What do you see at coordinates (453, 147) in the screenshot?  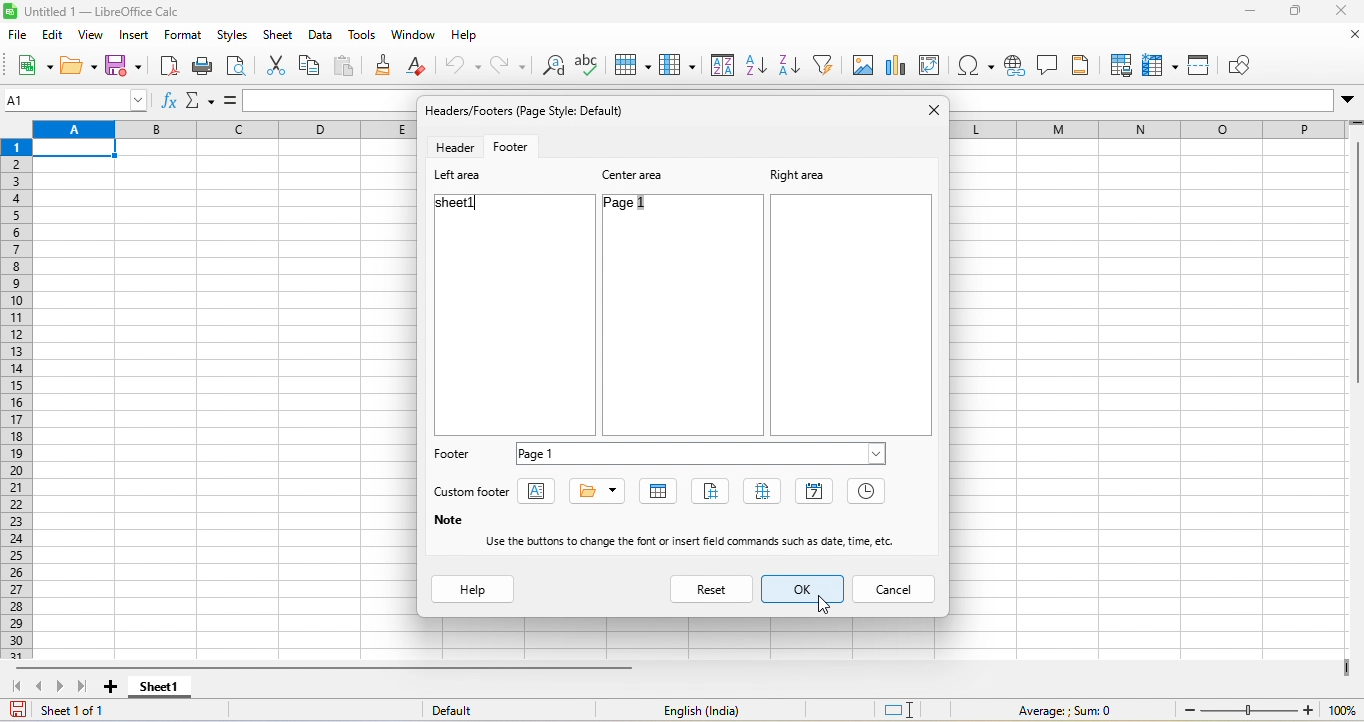 I see `header` at bounding box center [453, 147].